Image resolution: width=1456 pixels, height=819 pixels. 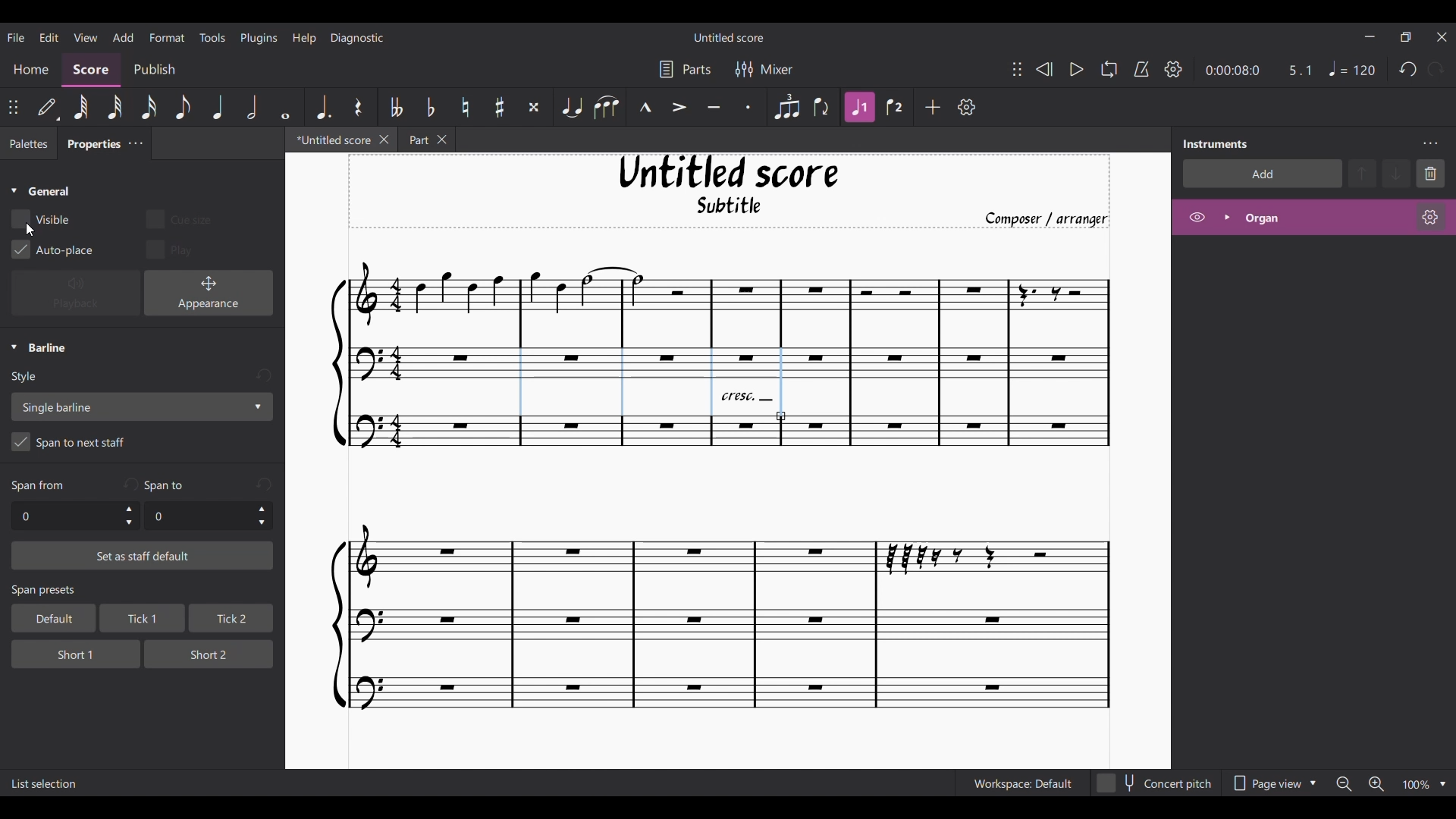 I want to click on Close/Undock Properties tab, so click(x=135, y=143).